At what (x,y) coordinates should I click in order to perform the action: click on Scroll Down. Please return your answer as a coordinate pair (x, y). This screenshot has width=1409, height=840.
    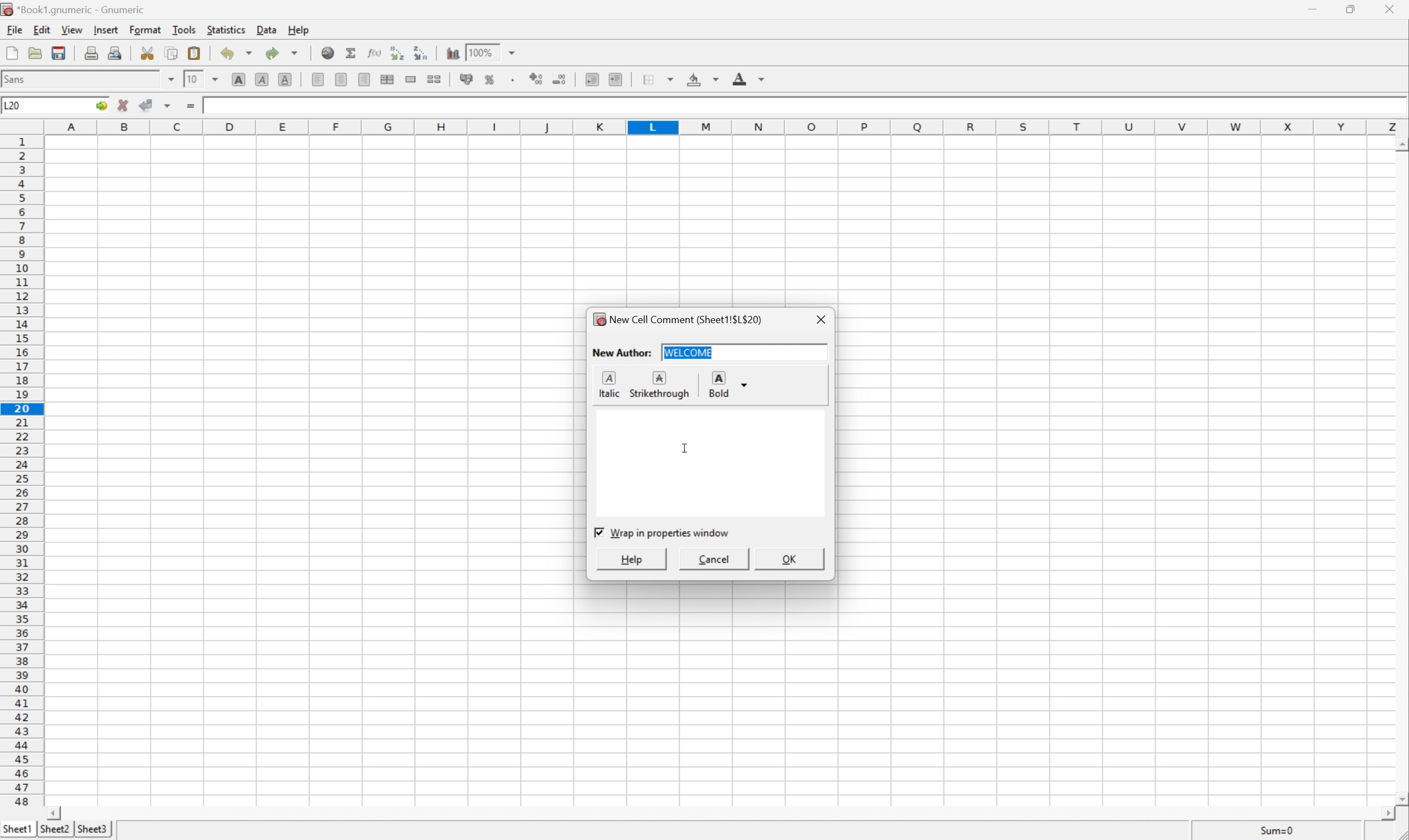
    Looking at the image, I should click on (1399, 796).